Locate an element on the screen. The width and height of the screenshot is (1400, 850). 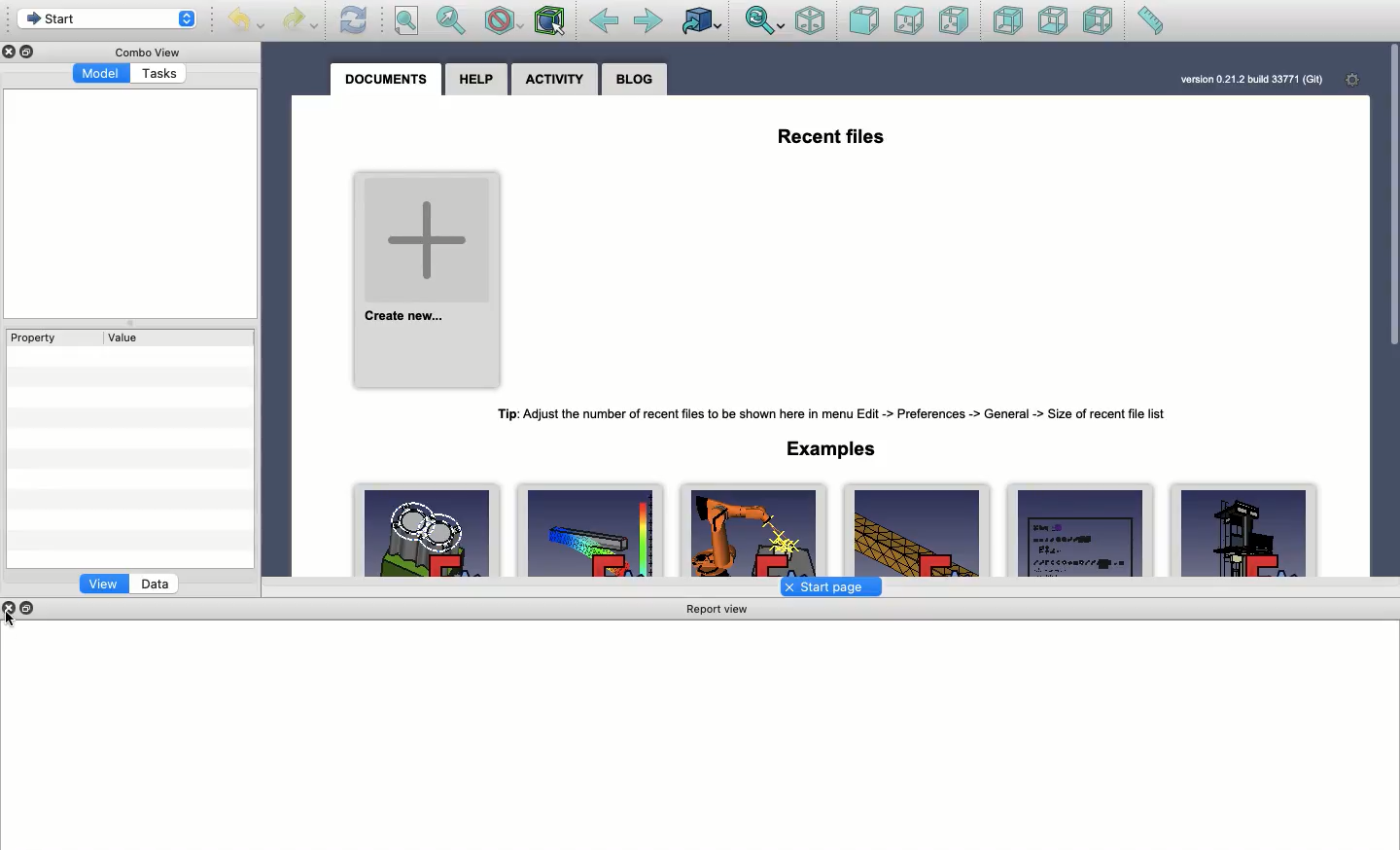
Rear is located at coordinates (1010, 21).